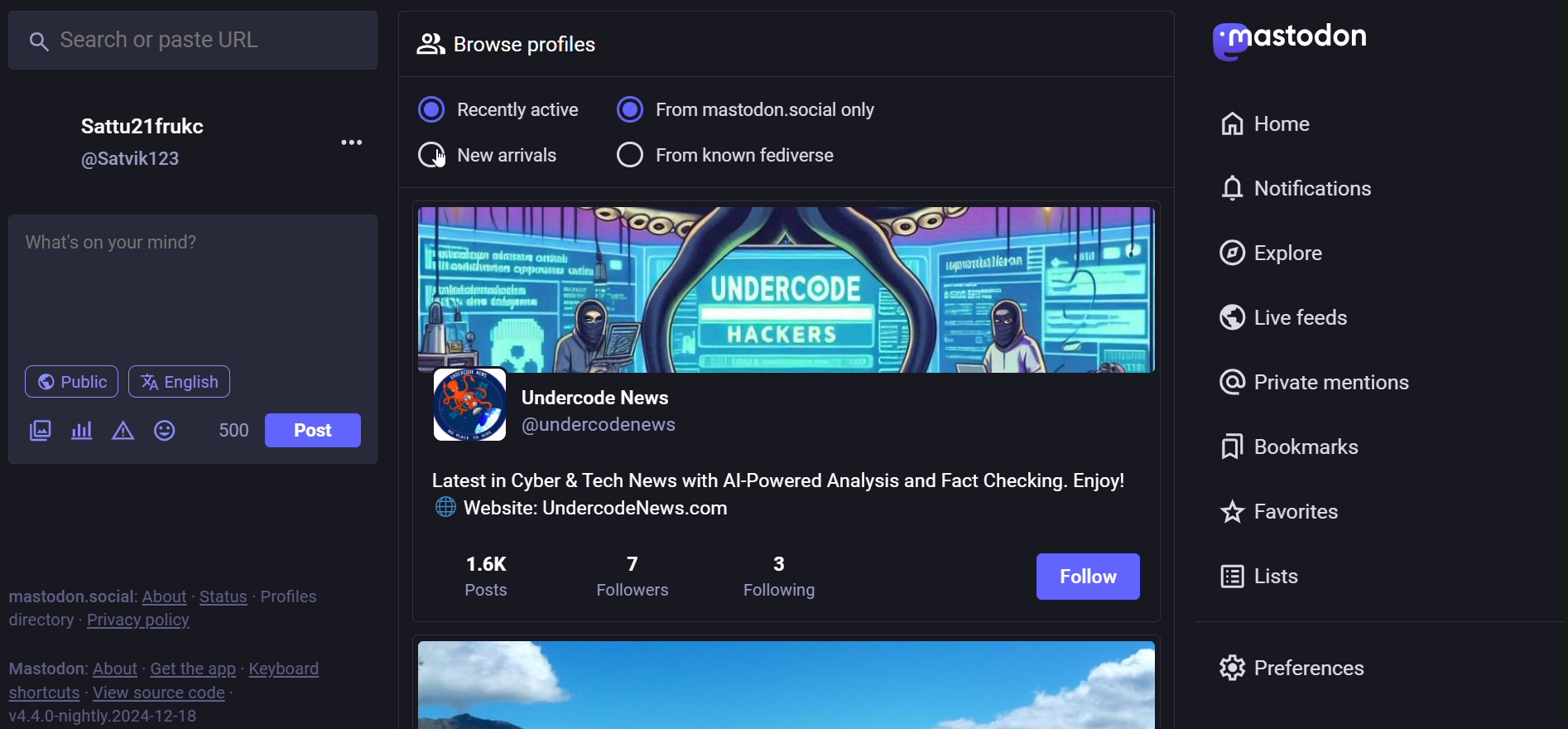  What do you see at coordinates (219, 594) in the screenshot?
I see `status` at bounding box center [219, 594].